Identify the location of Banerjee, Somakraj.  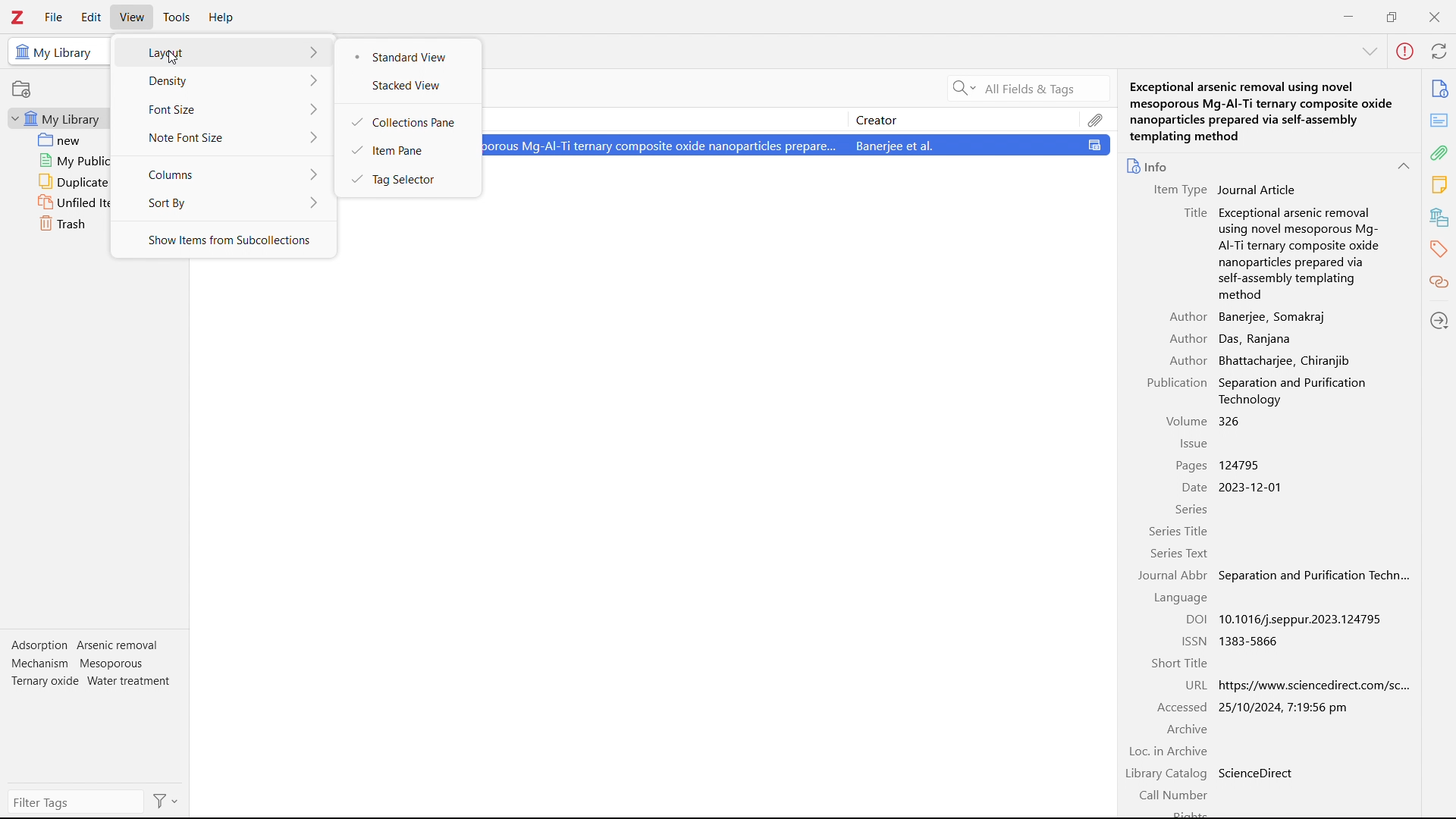
(1276, 316).